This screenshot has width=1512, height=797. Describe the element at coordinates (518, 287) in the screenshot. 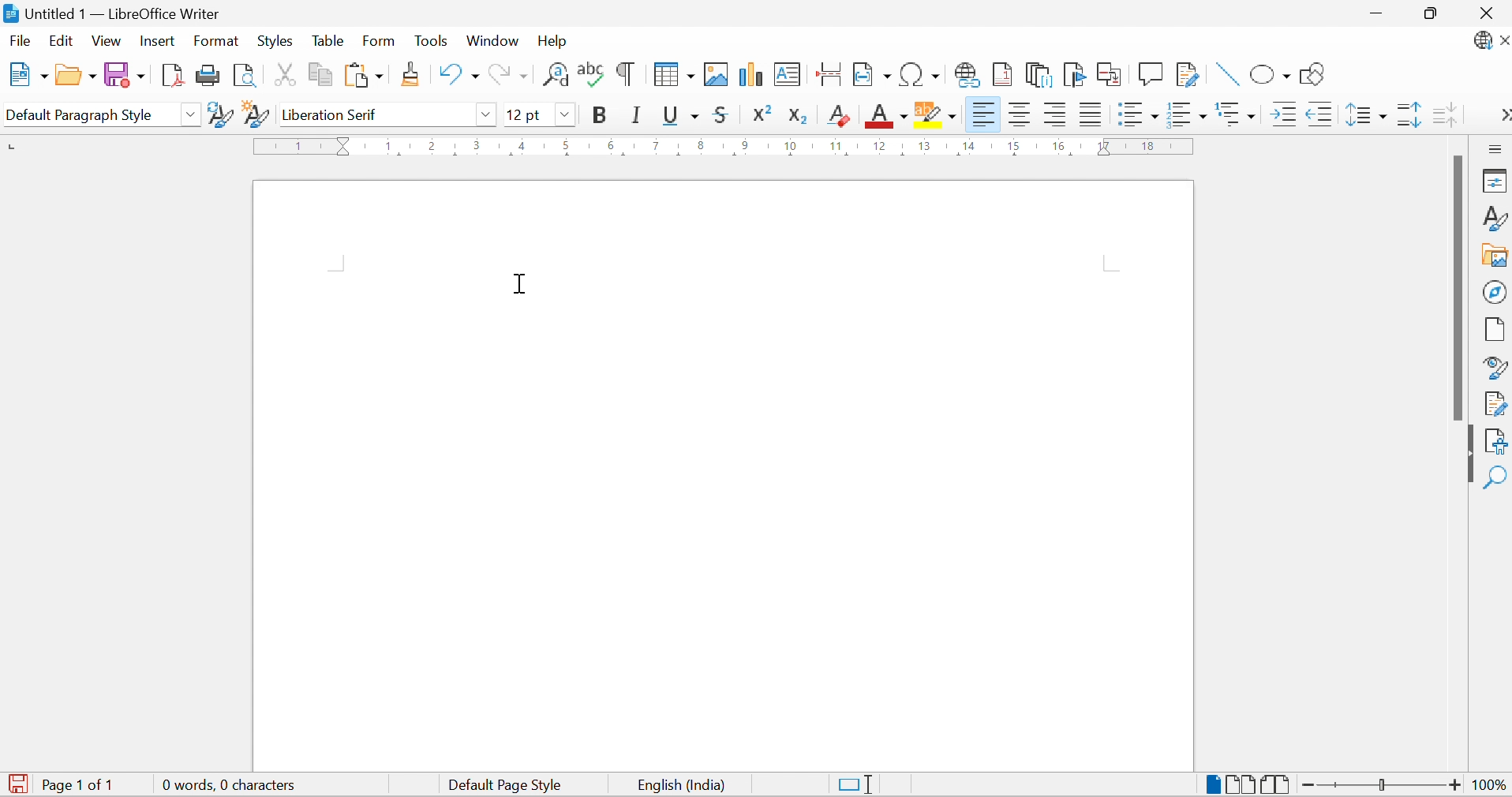

I see `Cursor` at that location.